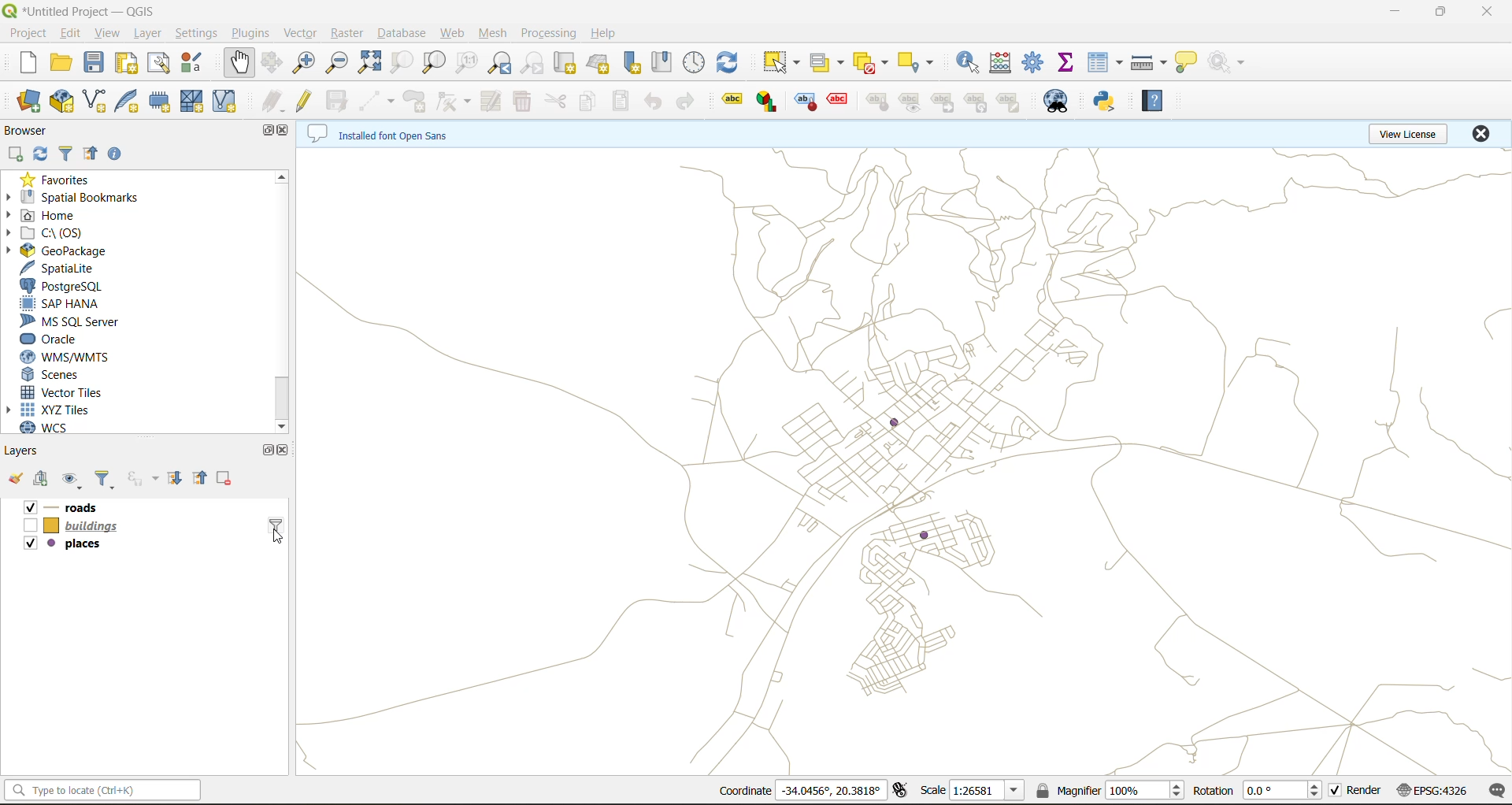 The width and height of the screenshot is (1512, 805). Describe the element at coordinates (1160, 104) in the screenshot. I see `help` at that location.